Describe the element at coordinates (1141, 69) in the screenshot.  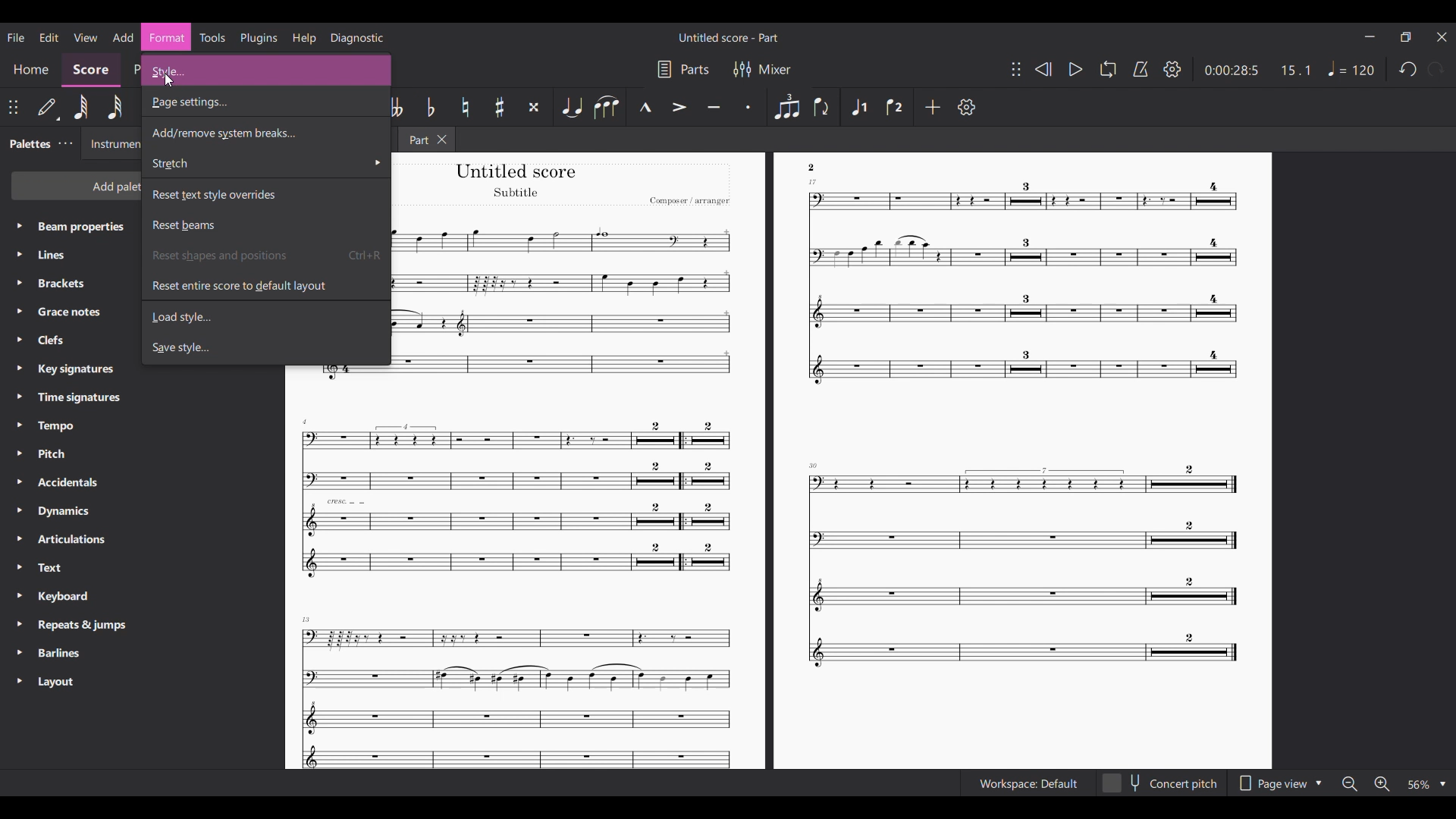
I see `Metronome` at that location.